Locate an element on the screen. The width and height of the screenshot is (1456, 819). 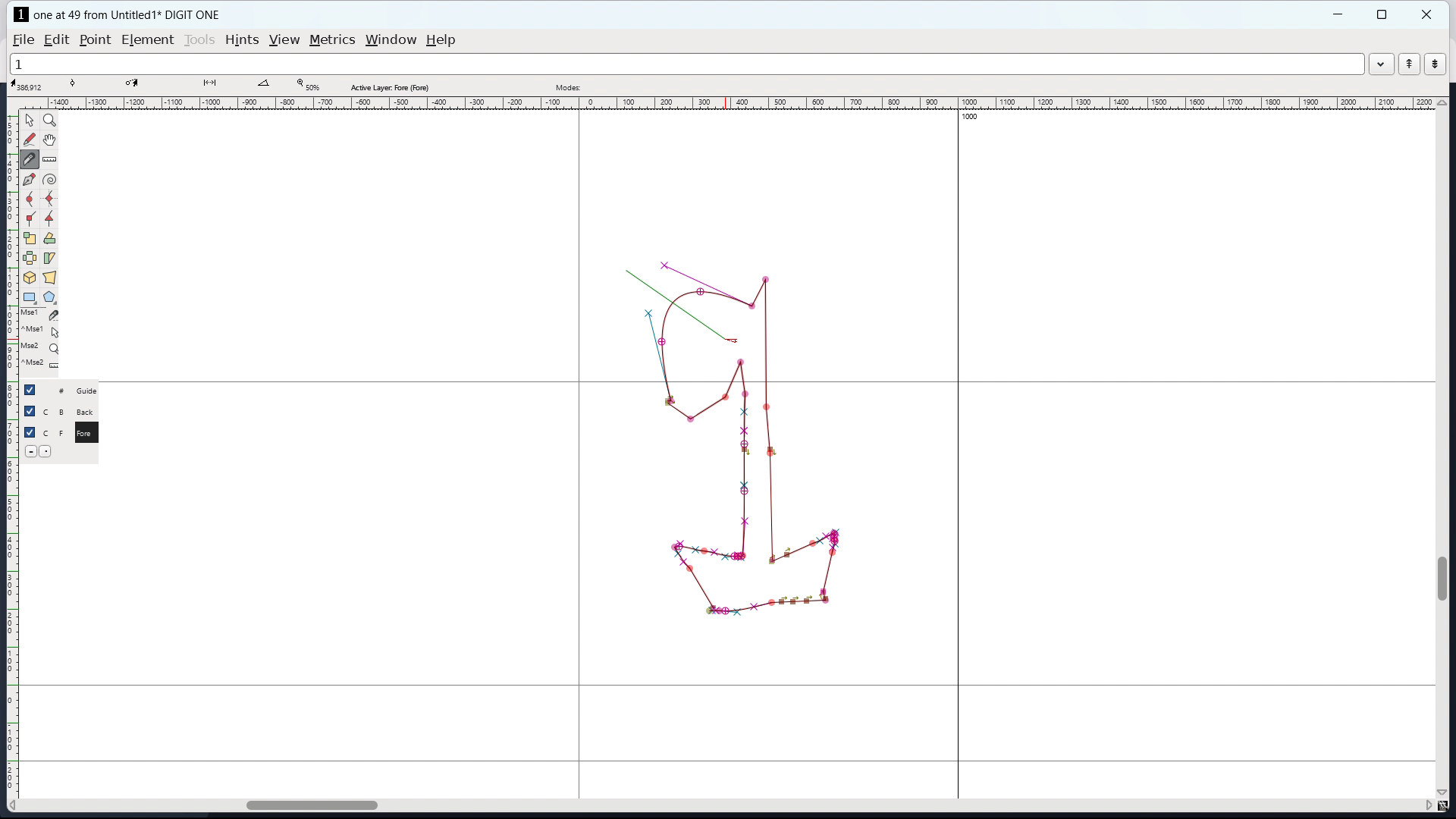
delete current layer is located at coordinates (30, 450).